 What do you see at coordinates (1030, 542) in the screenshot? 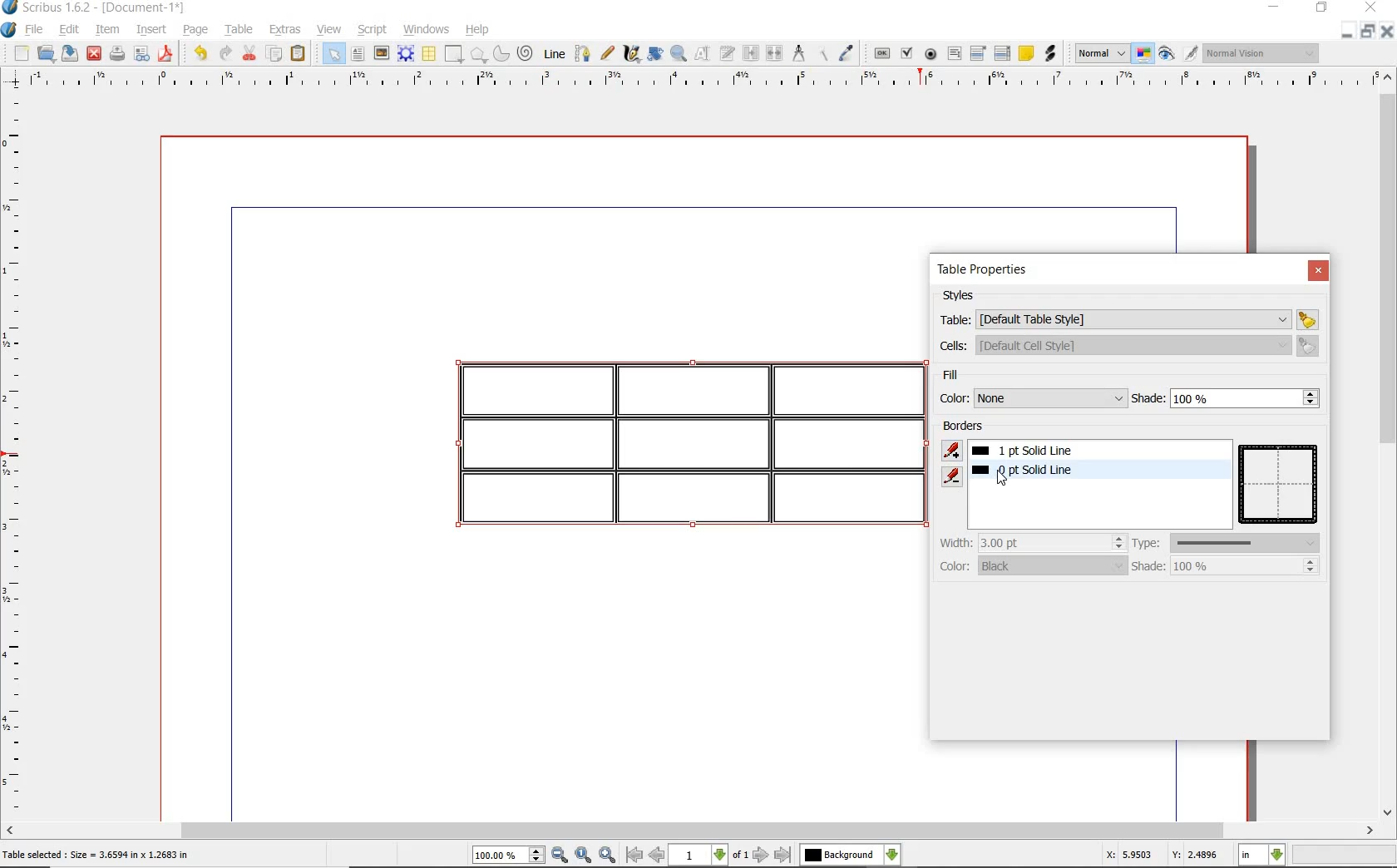
I see `width` at bounding box center [1030, 542].